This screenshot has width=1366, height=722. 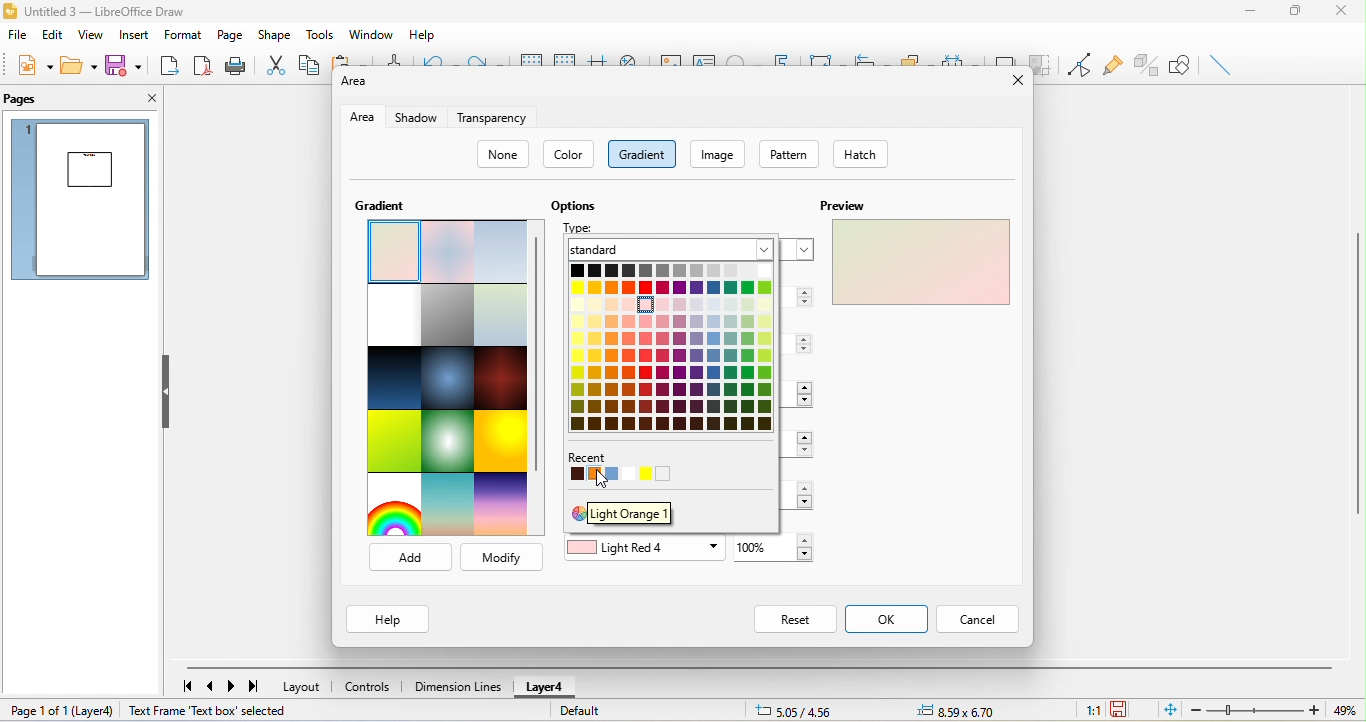 I want to click on hide, so click(x=171, y=390).